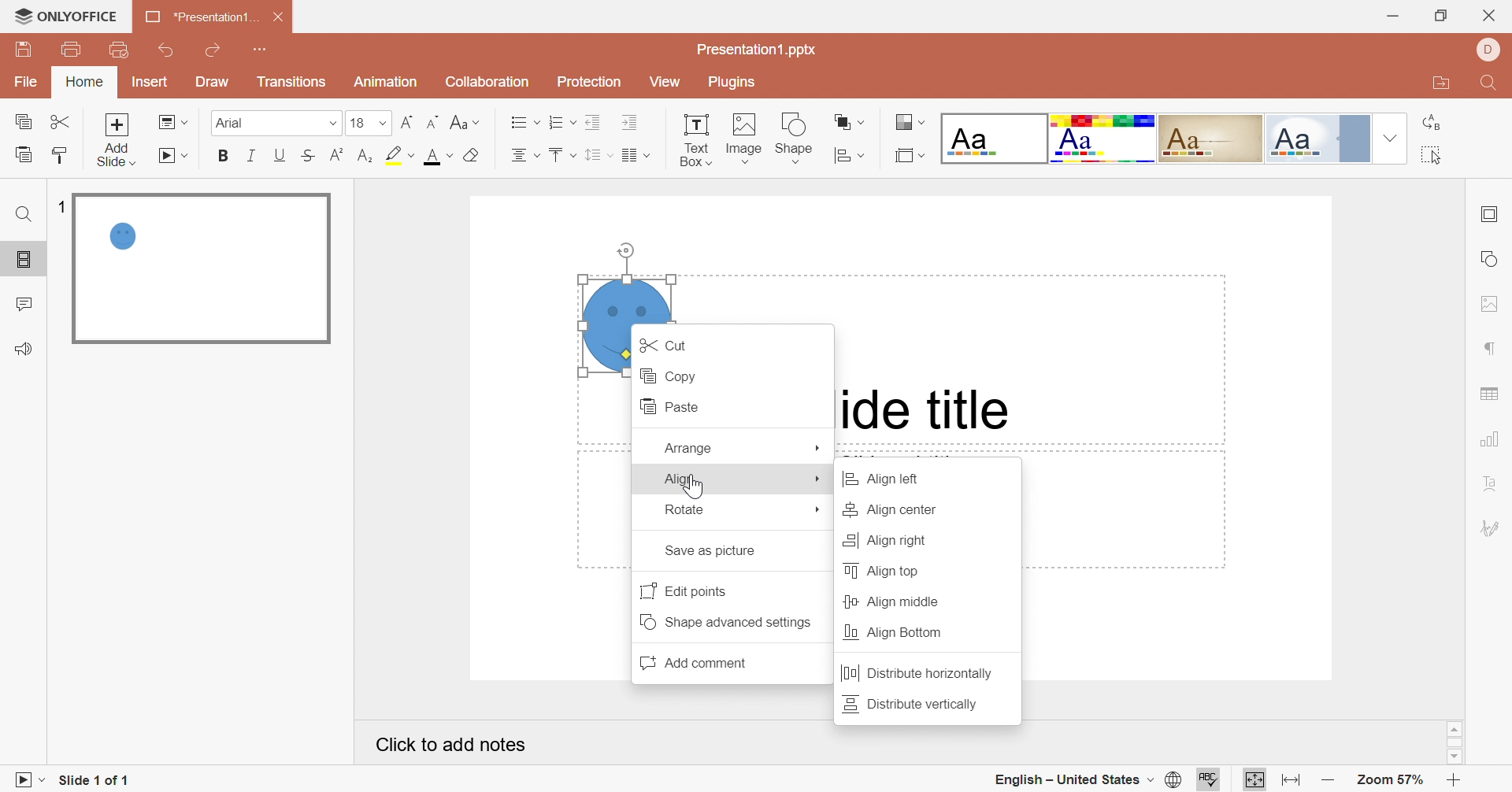 The image size is (1512, 792). I want to click on Plugins, so click(728, 84).